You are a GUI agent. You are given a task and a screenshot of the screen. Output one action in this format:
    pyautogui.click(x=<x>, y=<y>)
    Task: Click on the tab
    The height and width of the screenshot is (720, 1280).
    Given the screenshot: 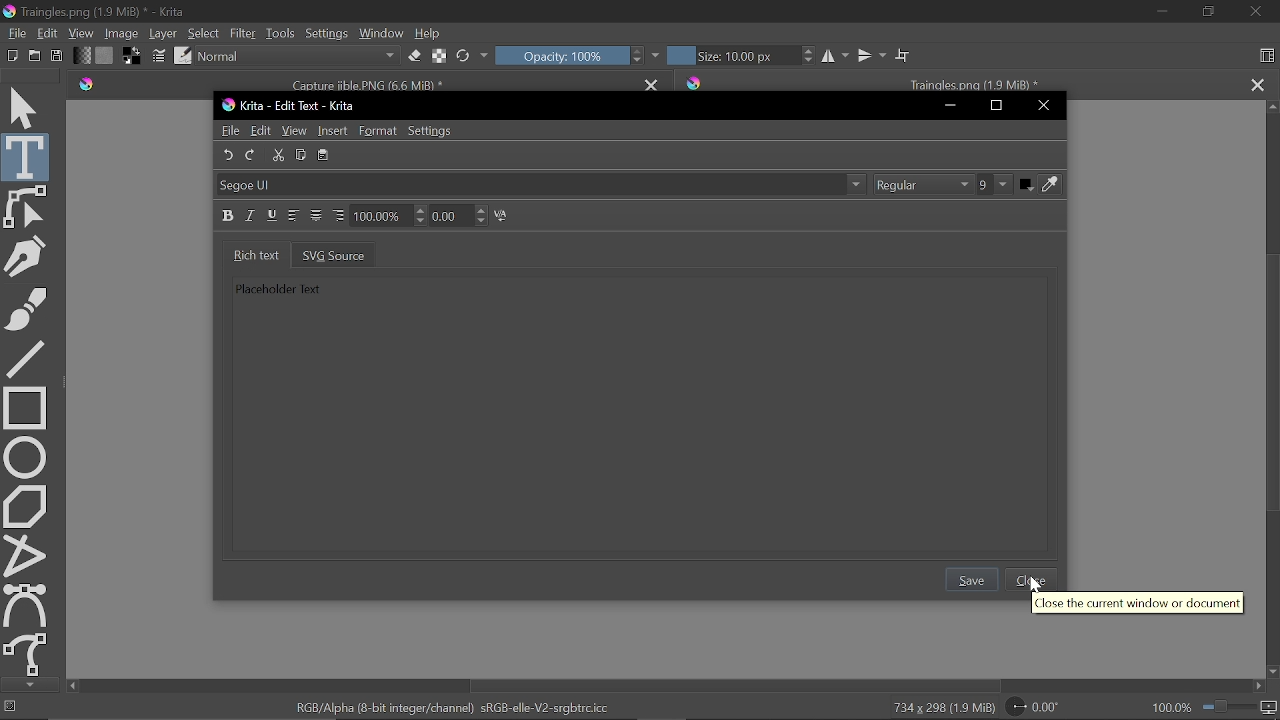 What is the action you would take?
    pyautogui.click(x=958, y=80)
    